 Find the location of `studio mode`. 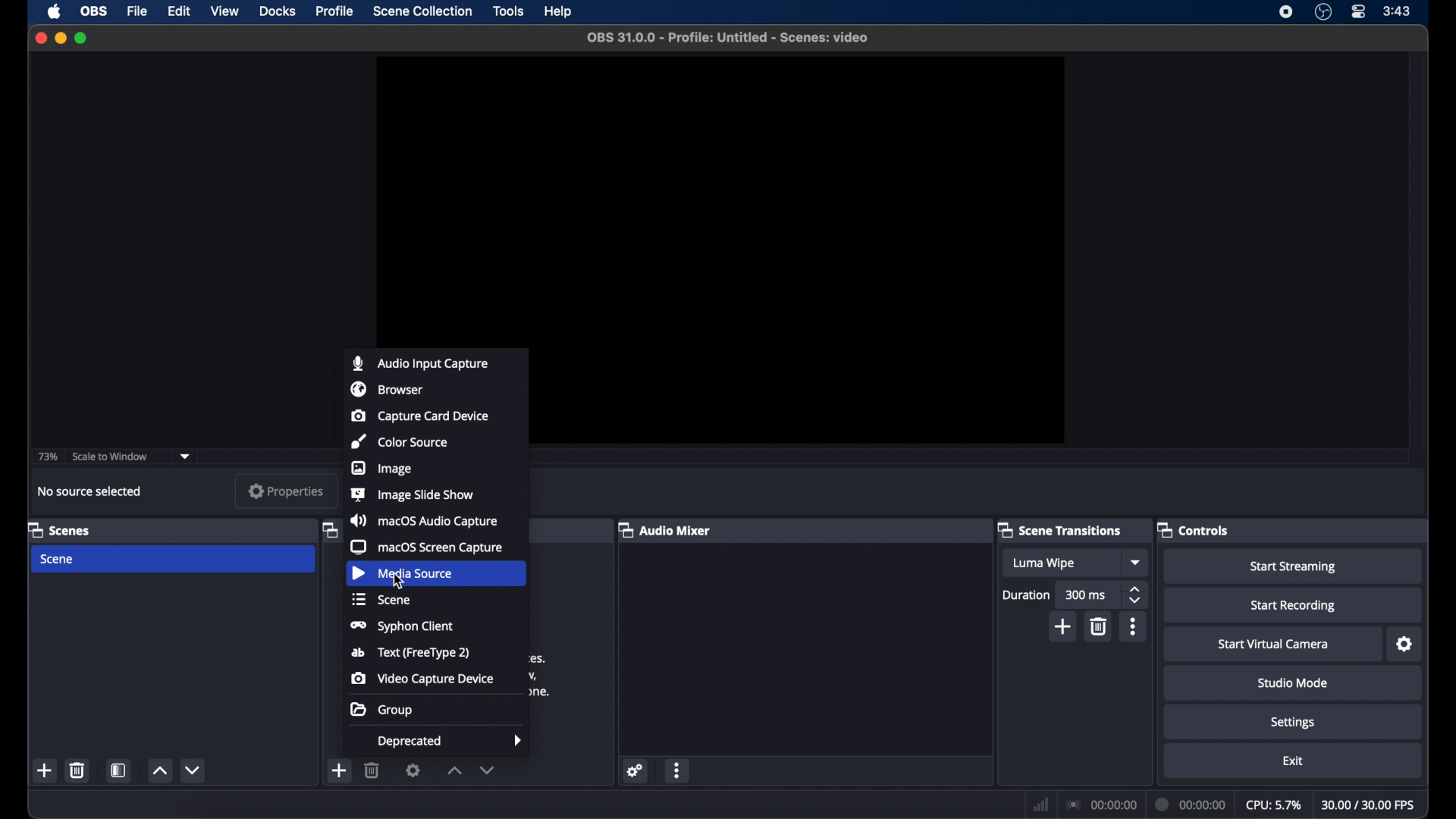

studio mode is located at coordinates (1294, 683).